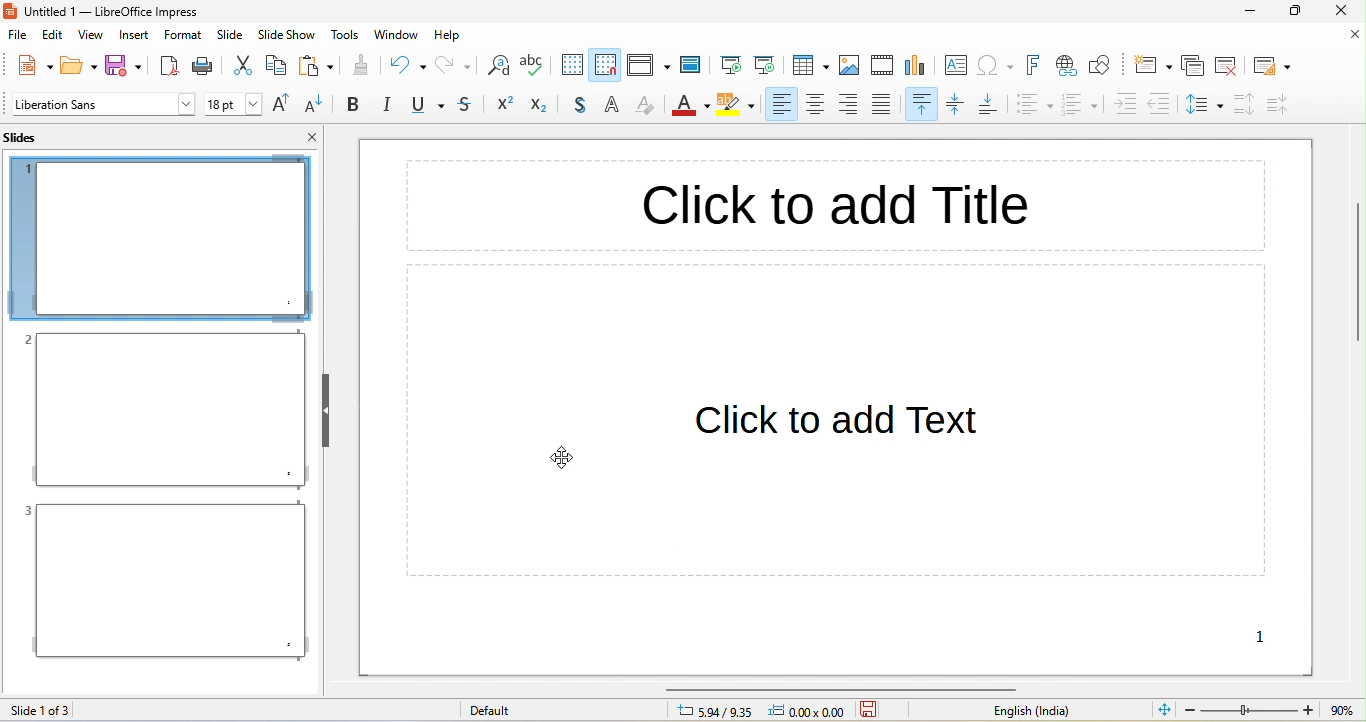  Describe the element at coordinates (1104, 66) in the screenshot. I see `show draw function` at that location.